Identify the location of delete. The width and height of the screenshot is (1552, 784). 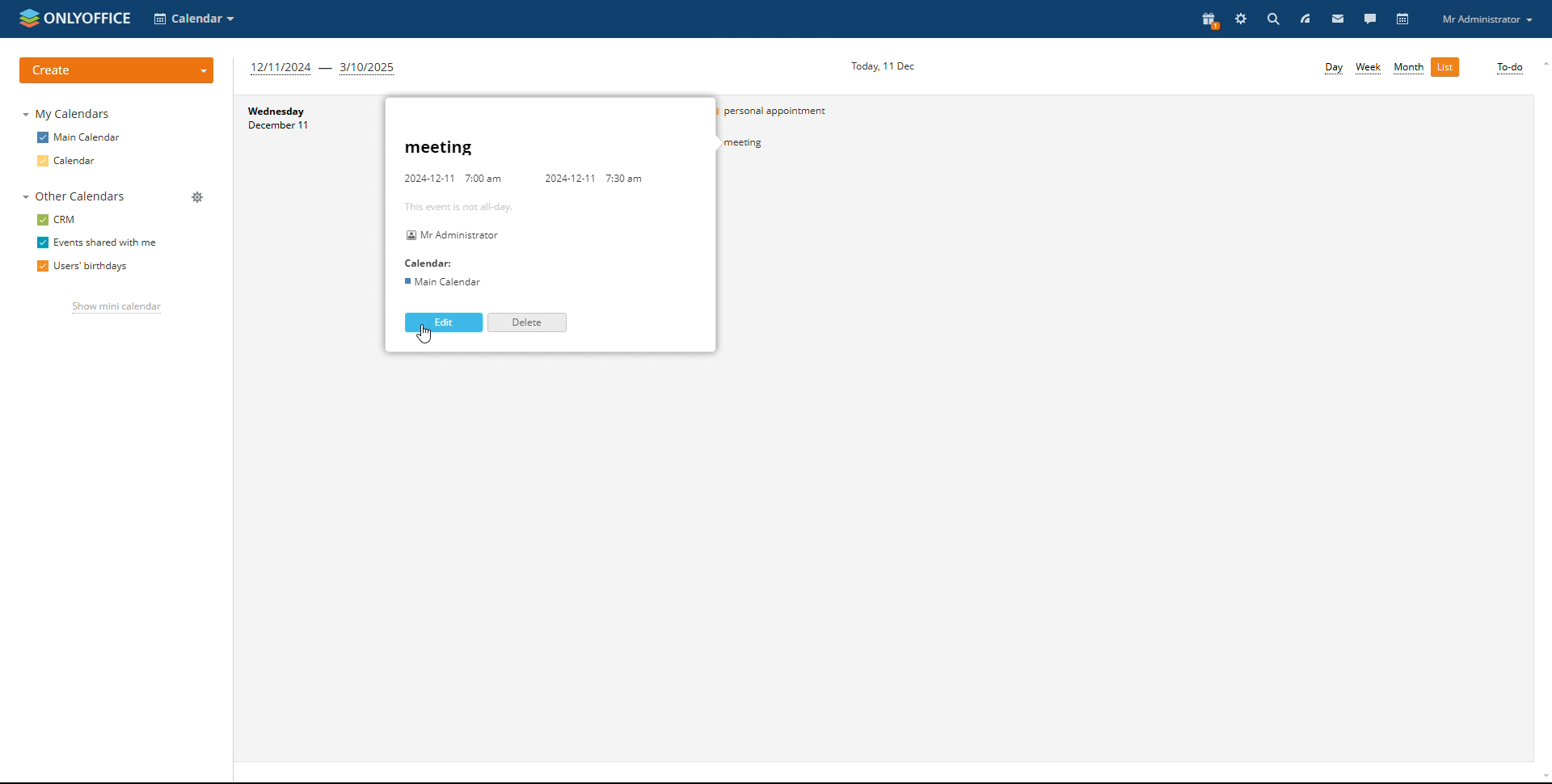
(527, 322).